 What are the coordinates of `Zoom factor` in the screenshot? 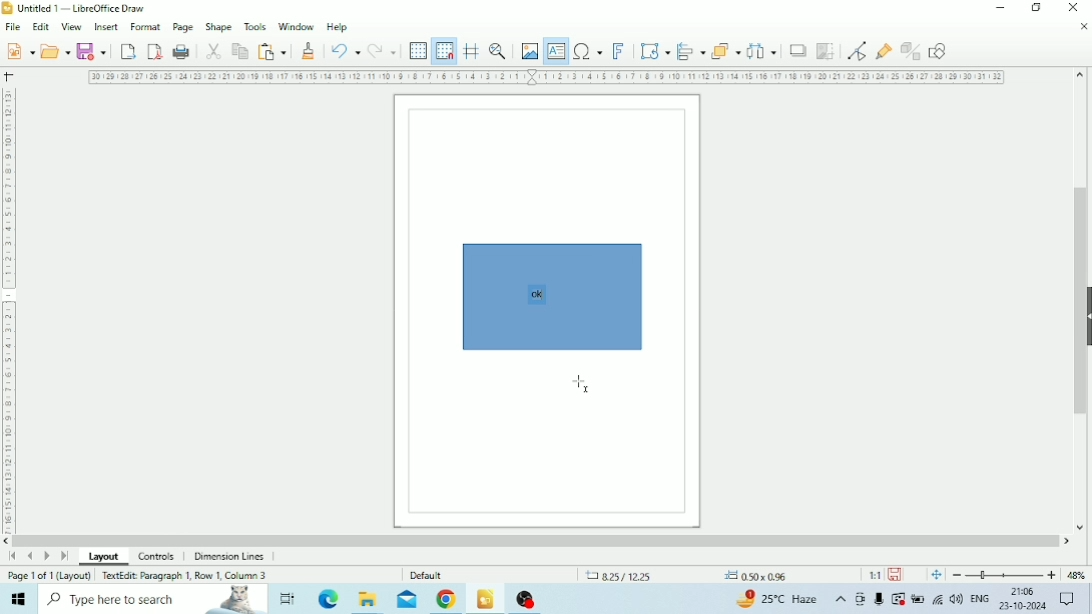 It's located at (1076, 574).